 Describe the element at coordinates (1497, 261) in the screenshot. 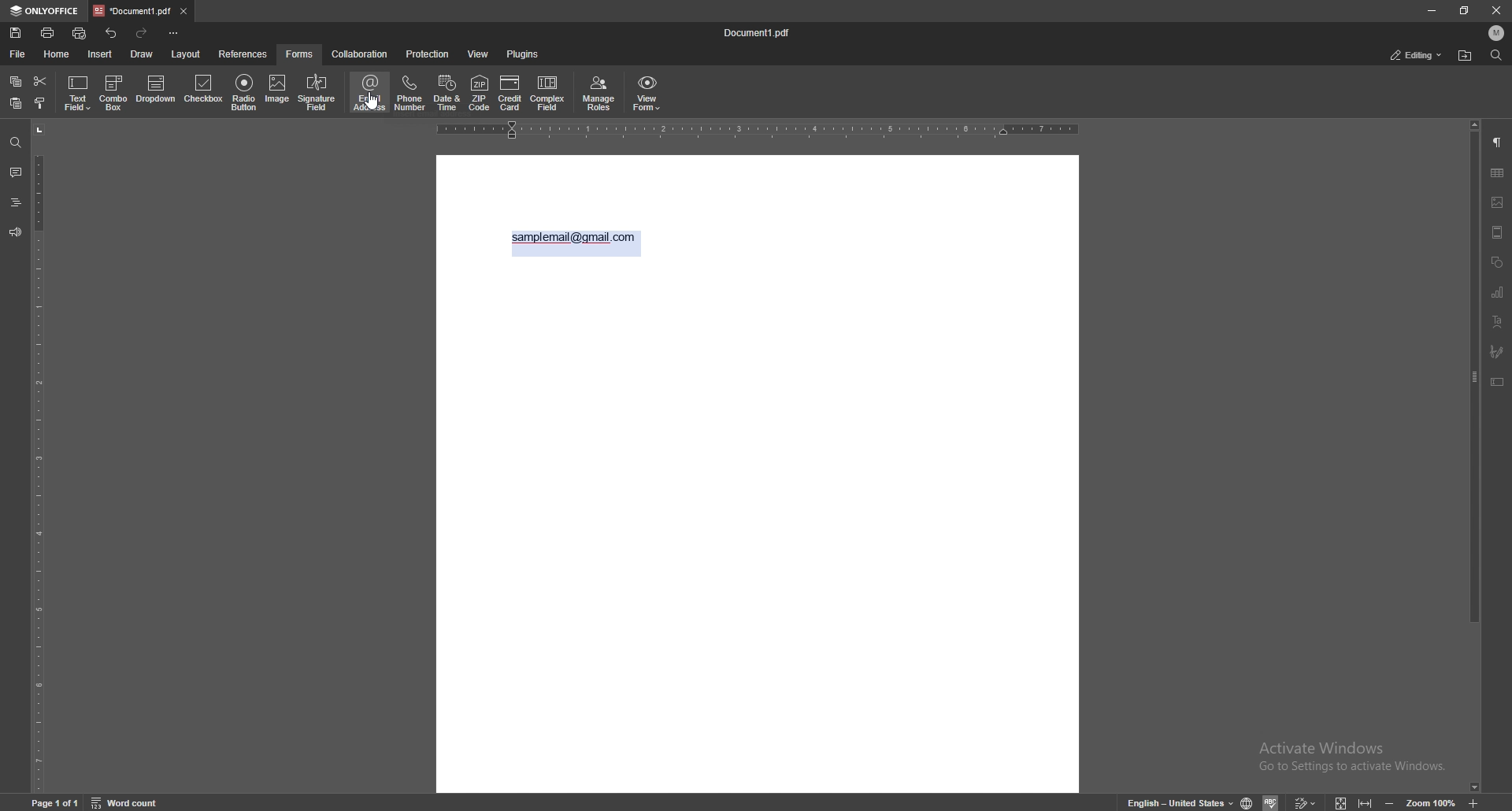

I see `shapes` at that location.